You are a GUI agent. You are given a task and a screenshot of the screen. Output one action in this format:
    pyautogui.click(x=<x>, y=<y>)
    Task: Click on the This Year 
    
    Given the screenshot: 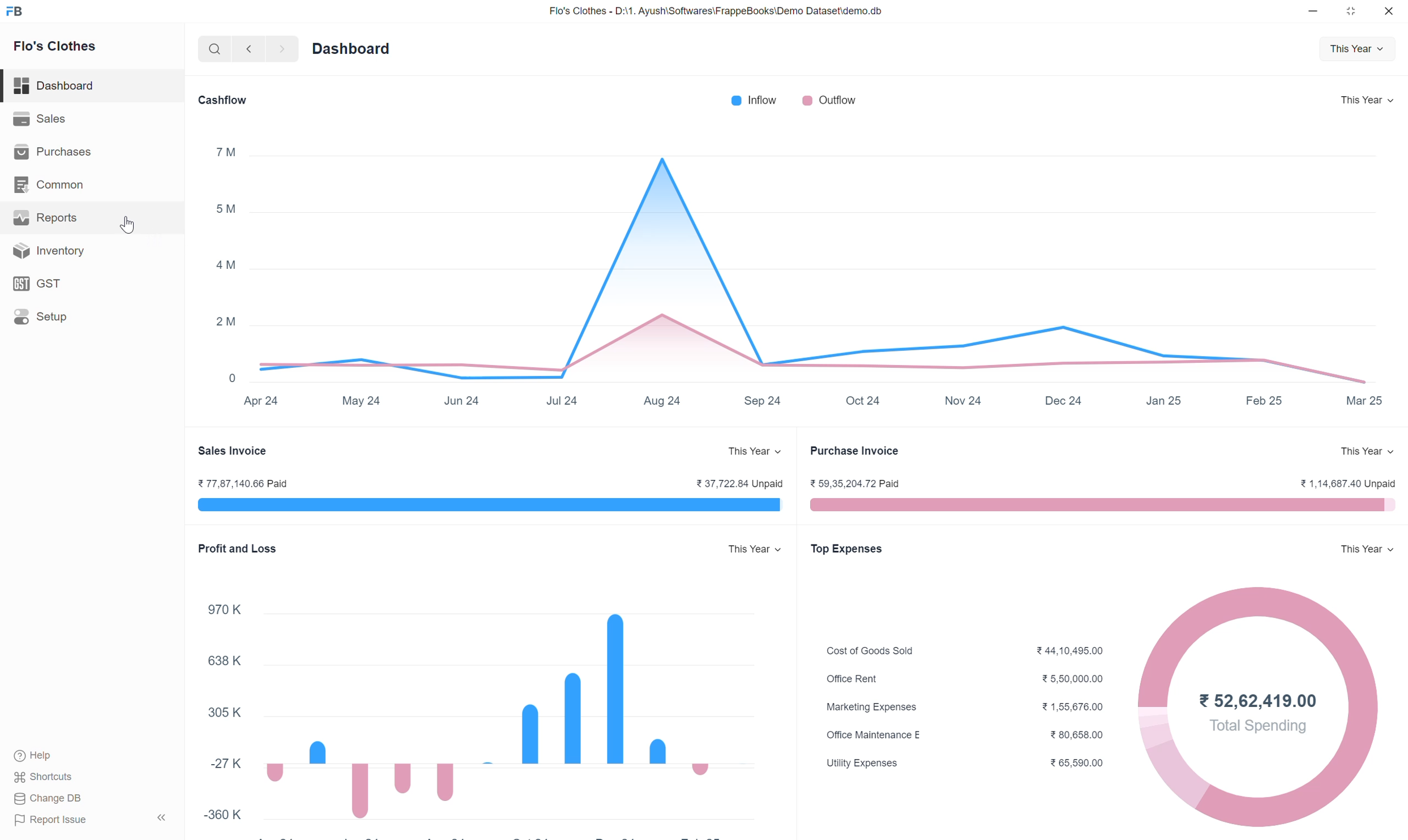 What is the action you would take?
    pyautogui.click(x=750, y=548)
    